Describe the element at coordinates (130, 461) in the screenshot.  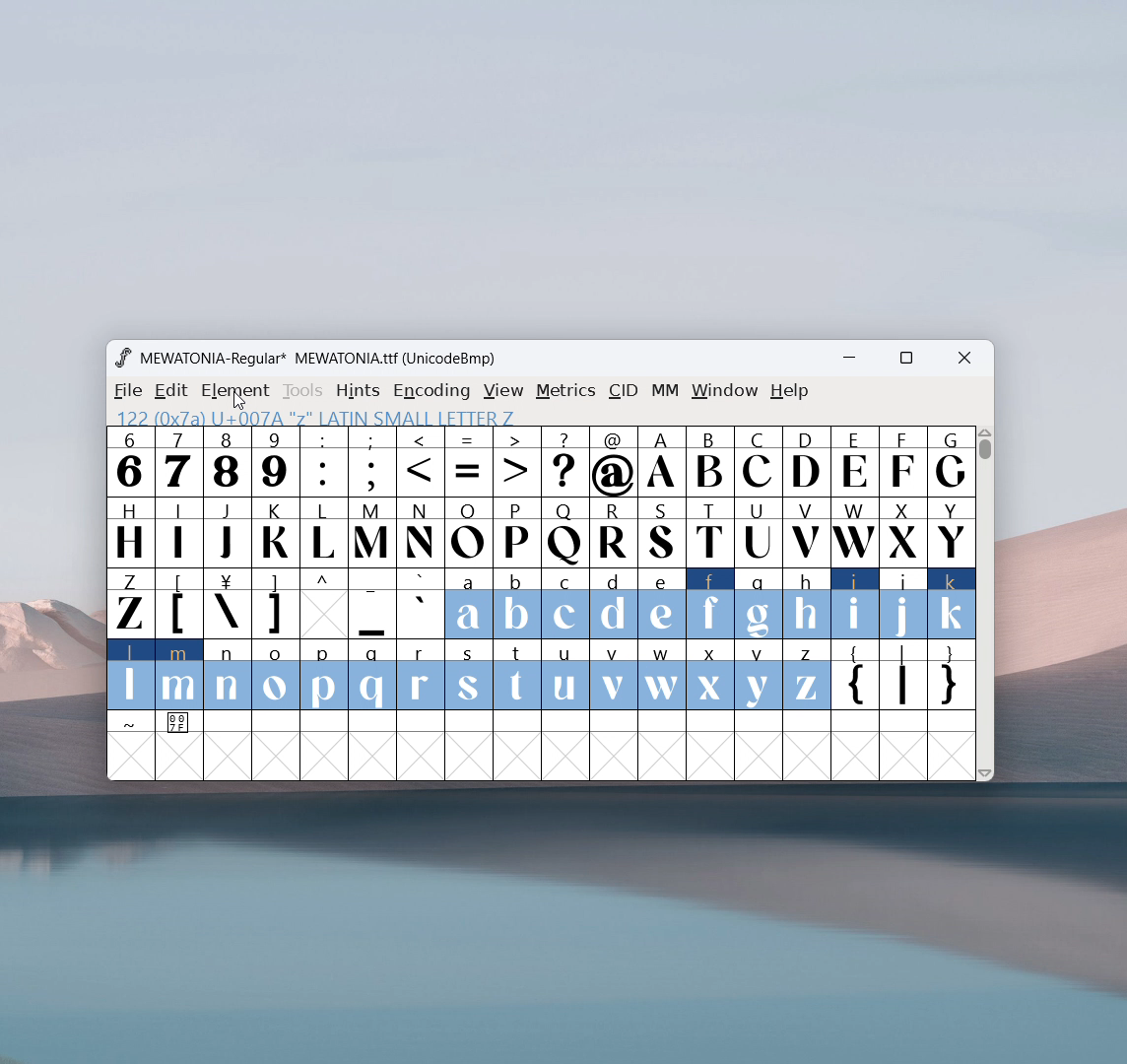
I see `6` at that location.